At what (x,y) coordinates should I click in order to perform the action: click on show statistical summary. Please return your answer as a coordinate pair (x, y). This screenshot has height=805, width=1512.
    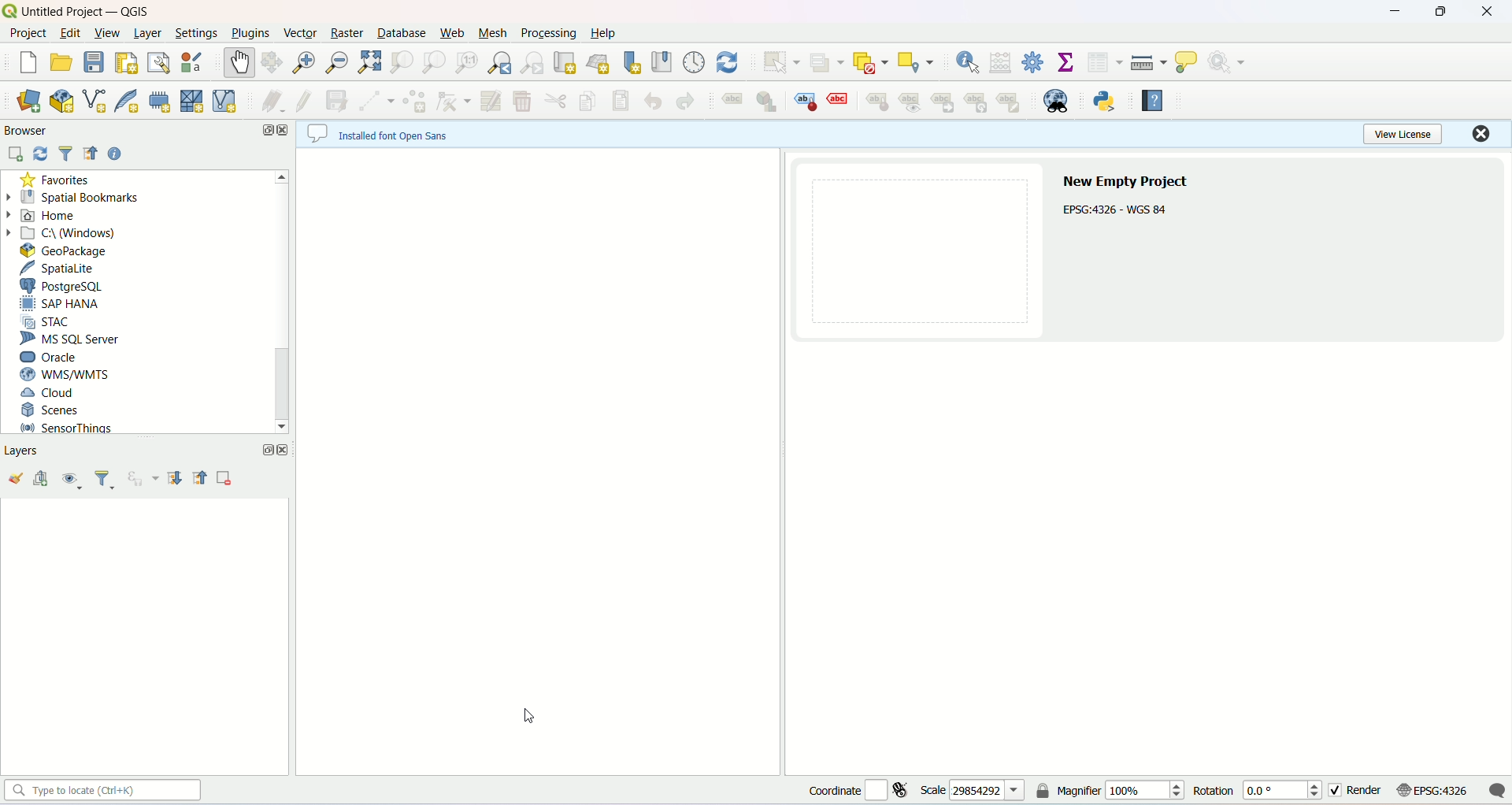
    Looking at the image, I should click on (1065, 63).